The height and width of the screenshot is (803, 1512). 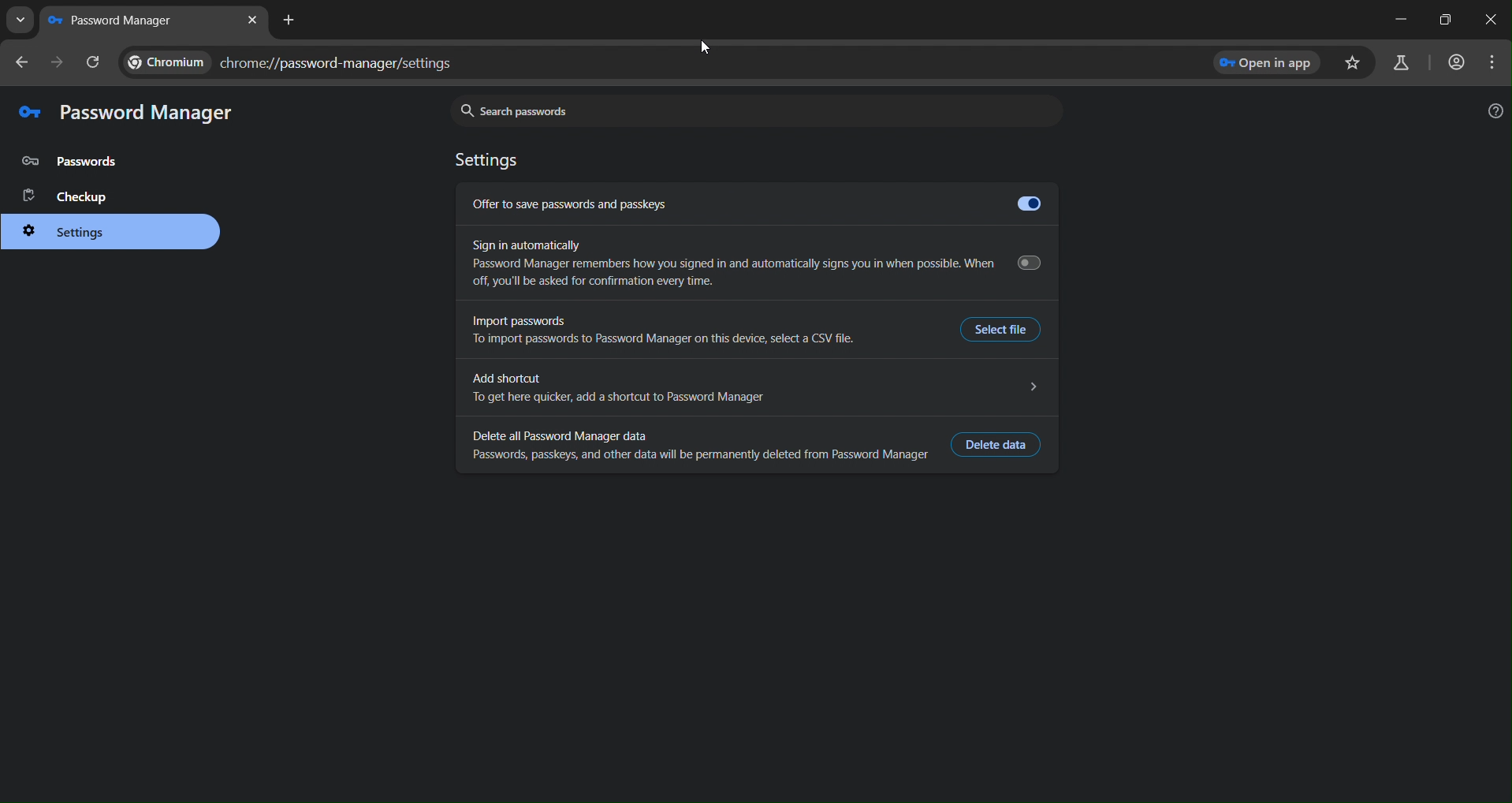 What do you see at coordinates (1496, 110) in the screenshot?
I see `help` at bounding box center [1496, 110].